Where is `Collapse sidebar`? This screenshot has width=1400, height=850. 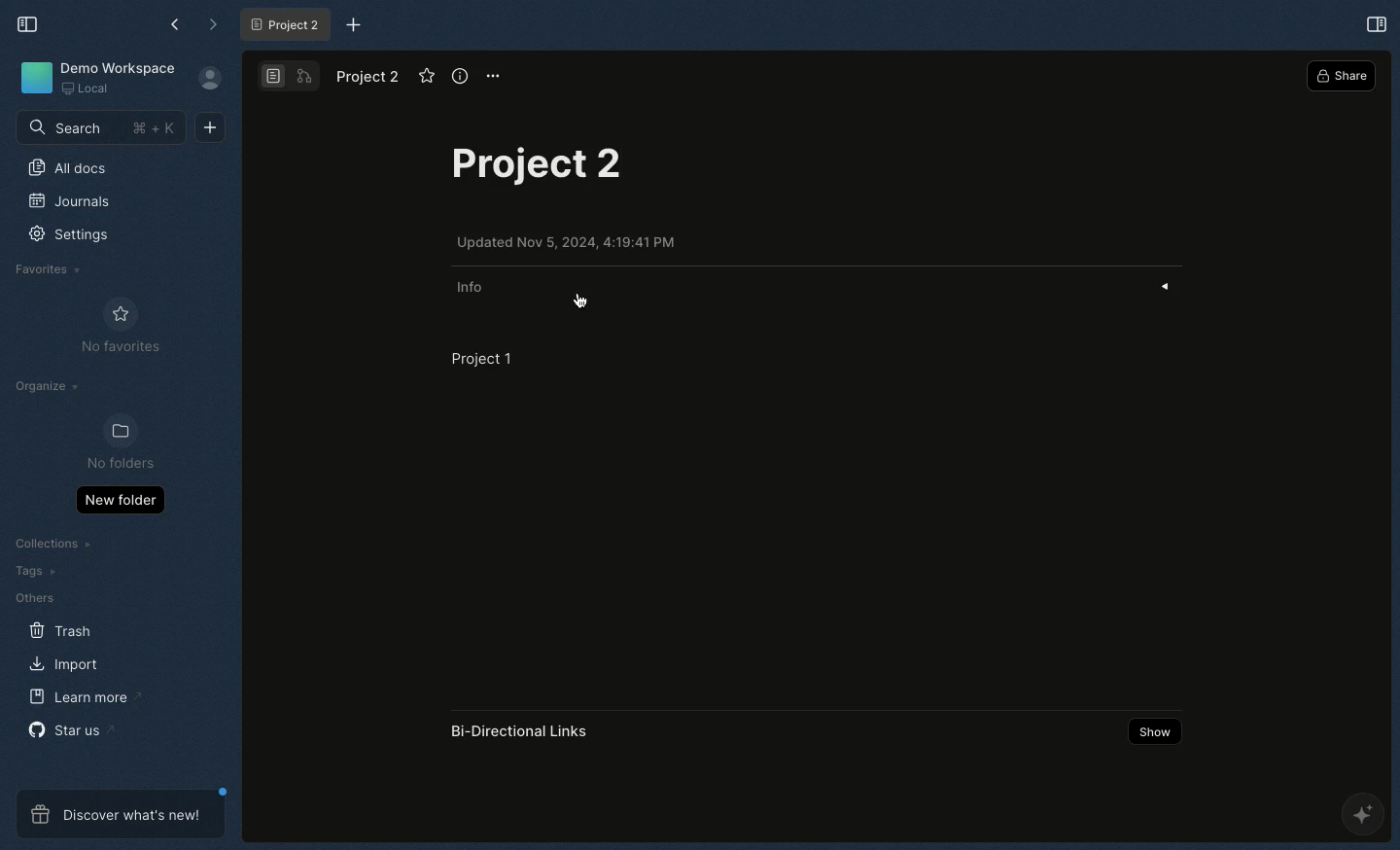 Collapse sidebar is located at coordinates (32, 24).